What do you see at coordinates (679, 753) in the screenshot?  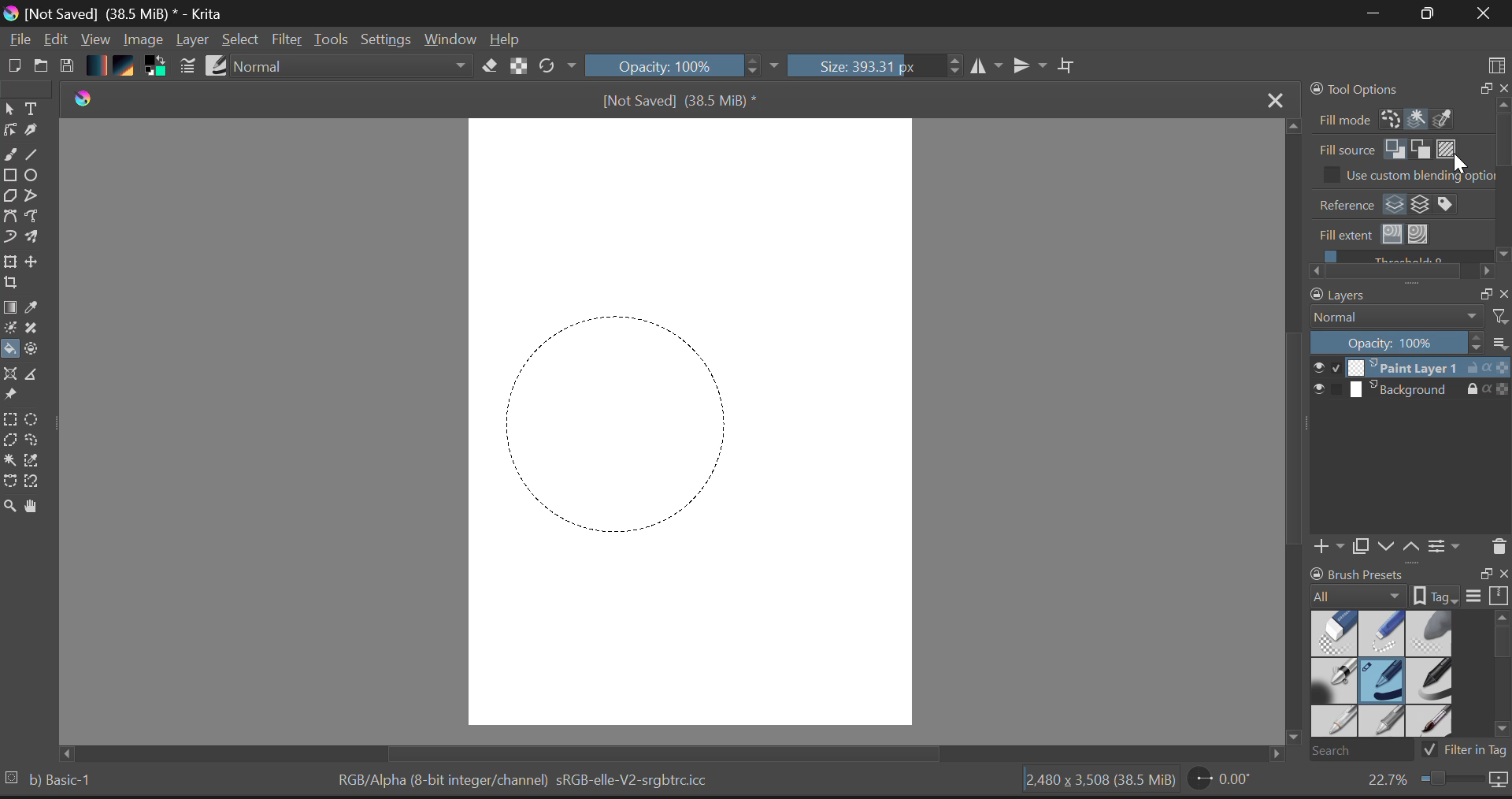 I see `Scroll Bar` at bounding box center [679, 753].